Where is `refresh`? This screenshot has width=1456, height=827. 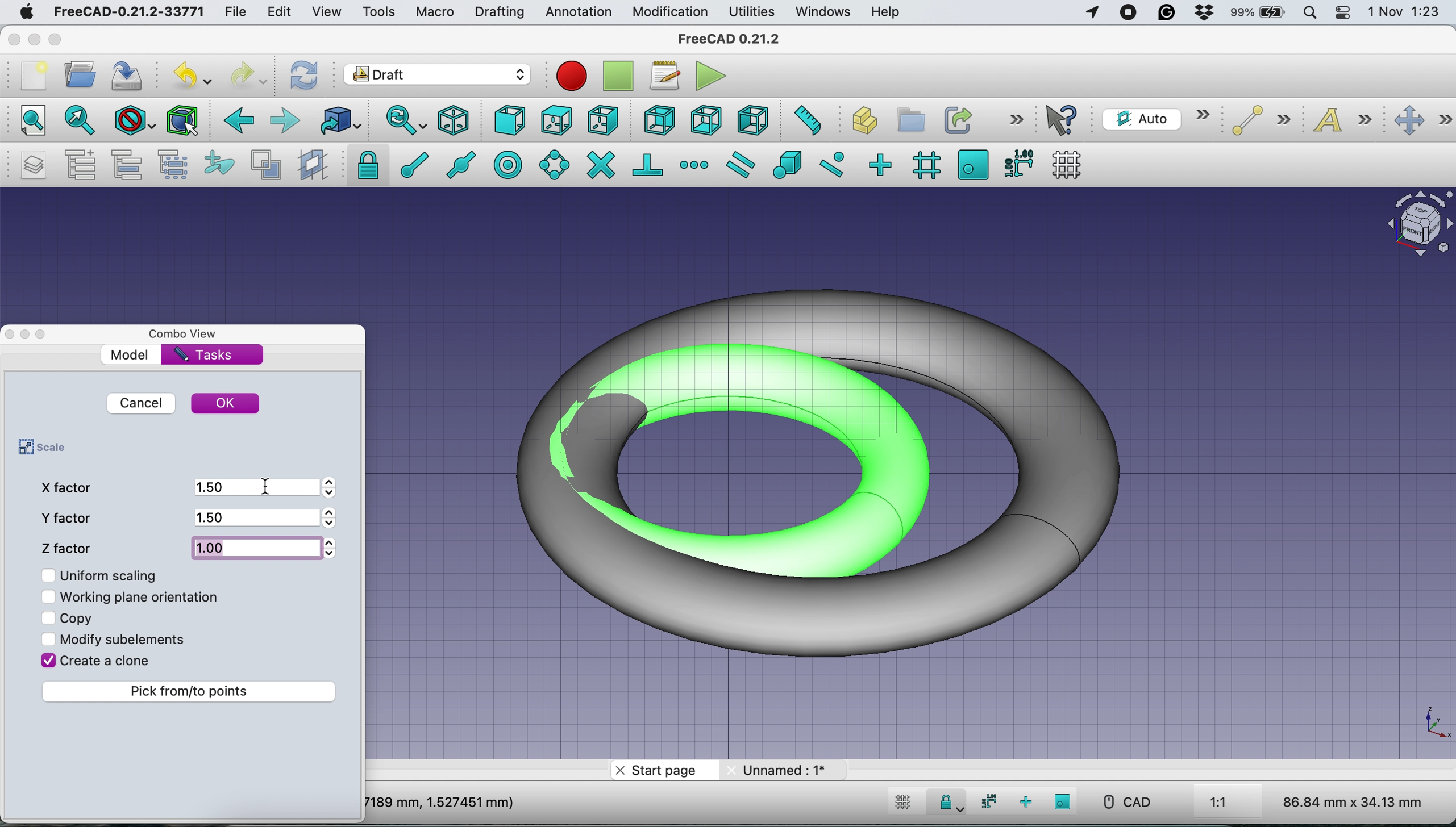
refresh is located at coordinates (305, 76).